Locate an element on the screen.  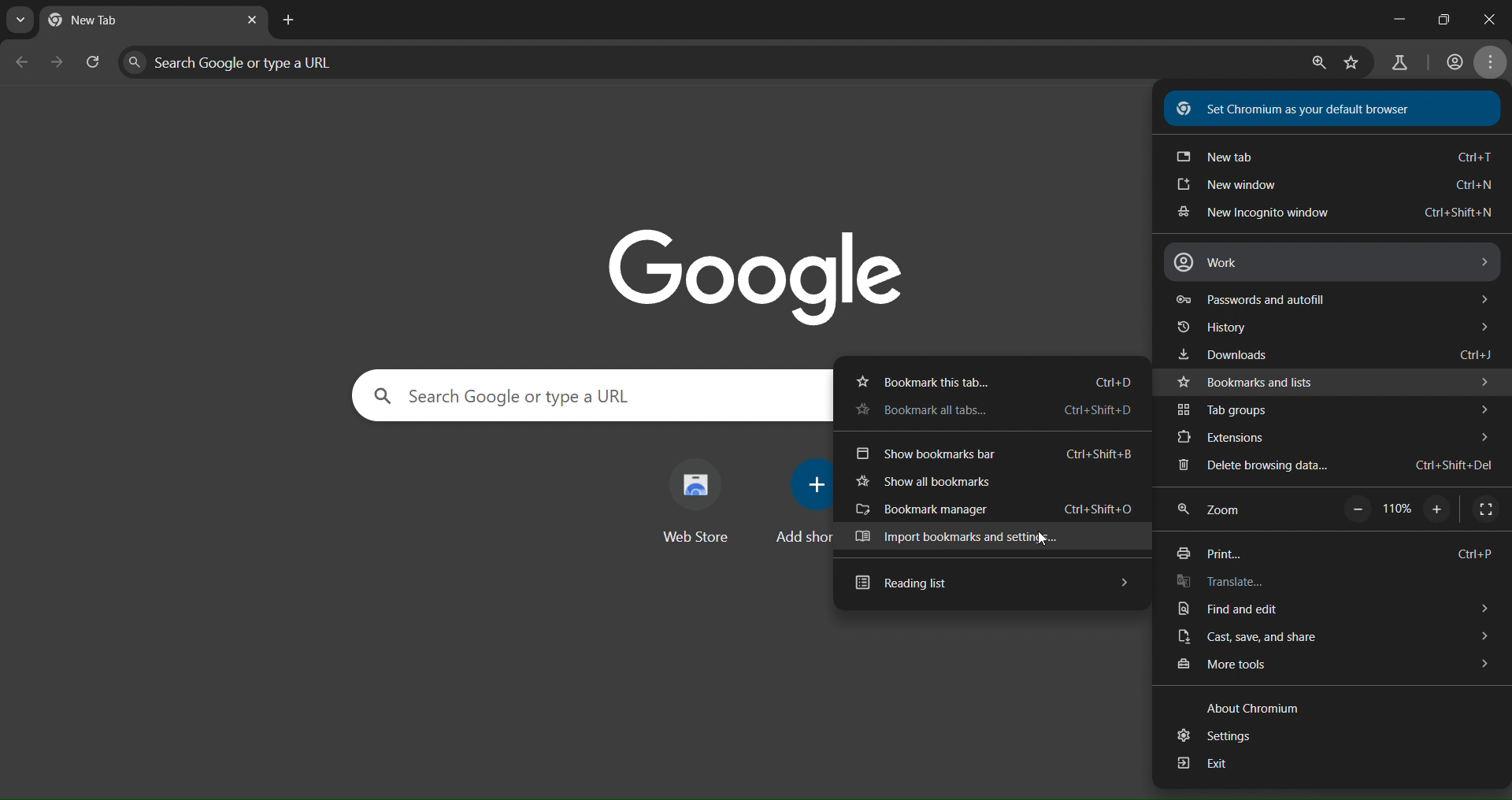
search labs is located at coordinates (1394, 64).